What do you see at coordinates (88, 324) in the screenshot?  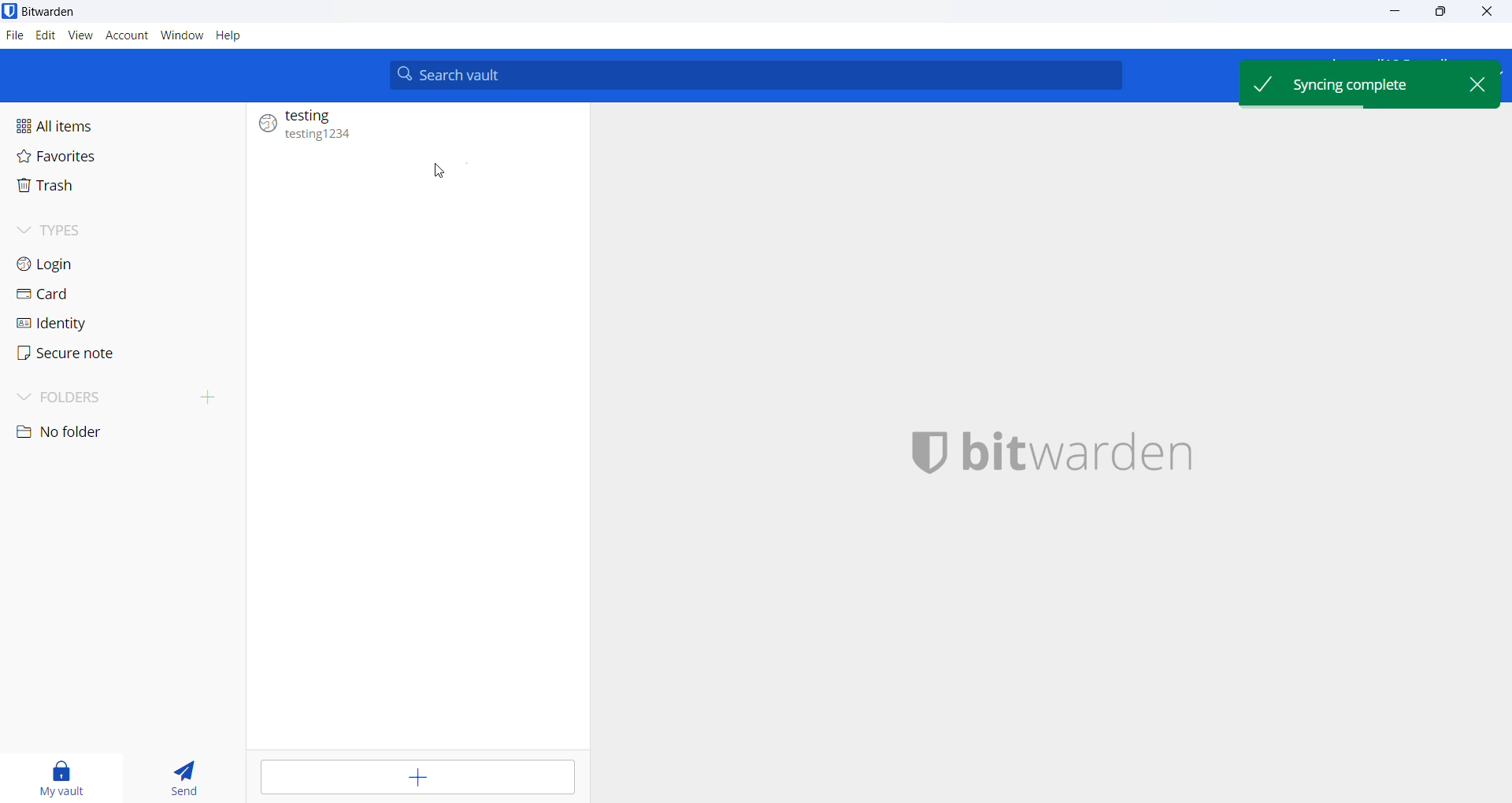 I see `identity` at bounding box center [88, 324].